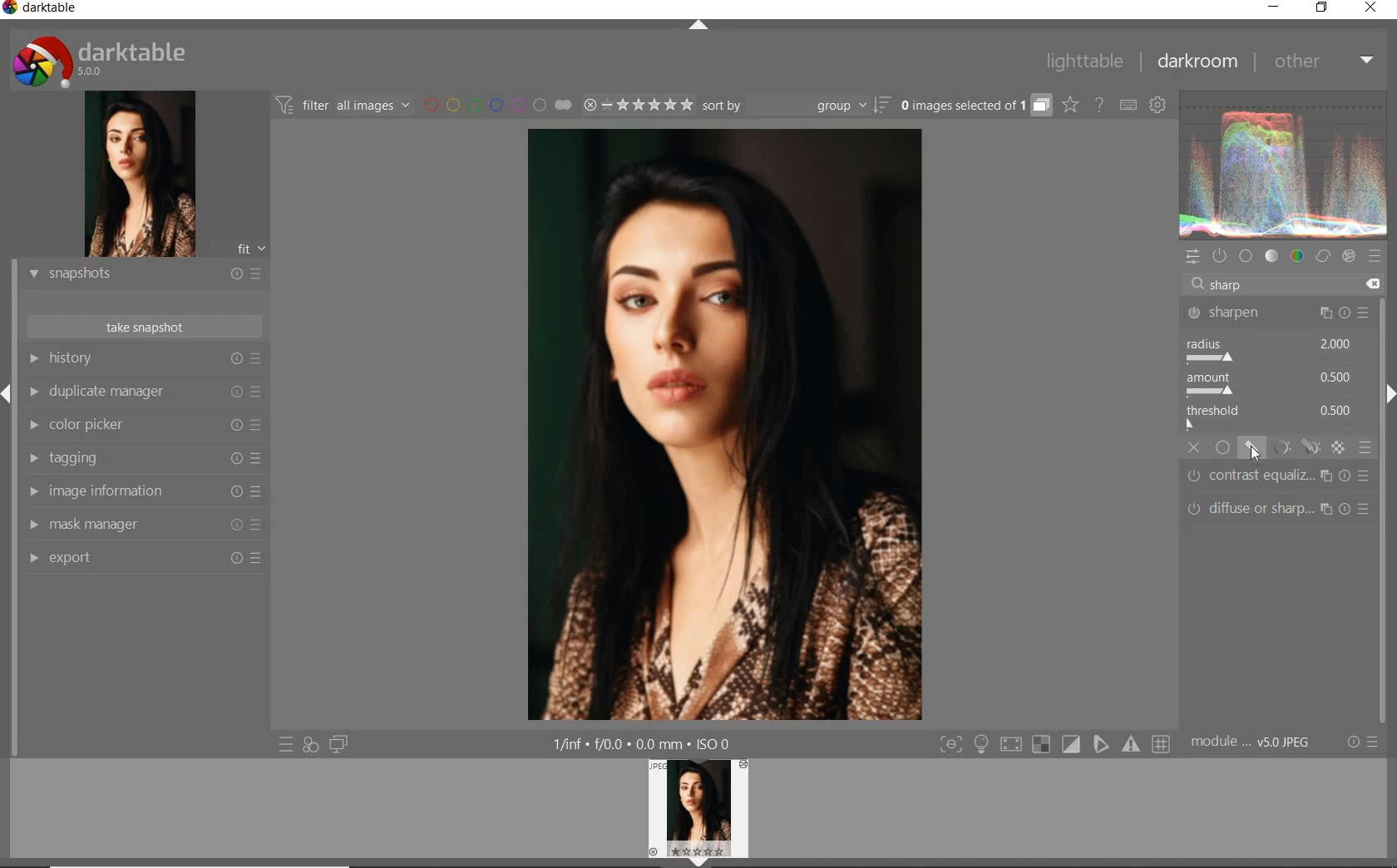  I want to click on lighttable, so click(1084, 62).